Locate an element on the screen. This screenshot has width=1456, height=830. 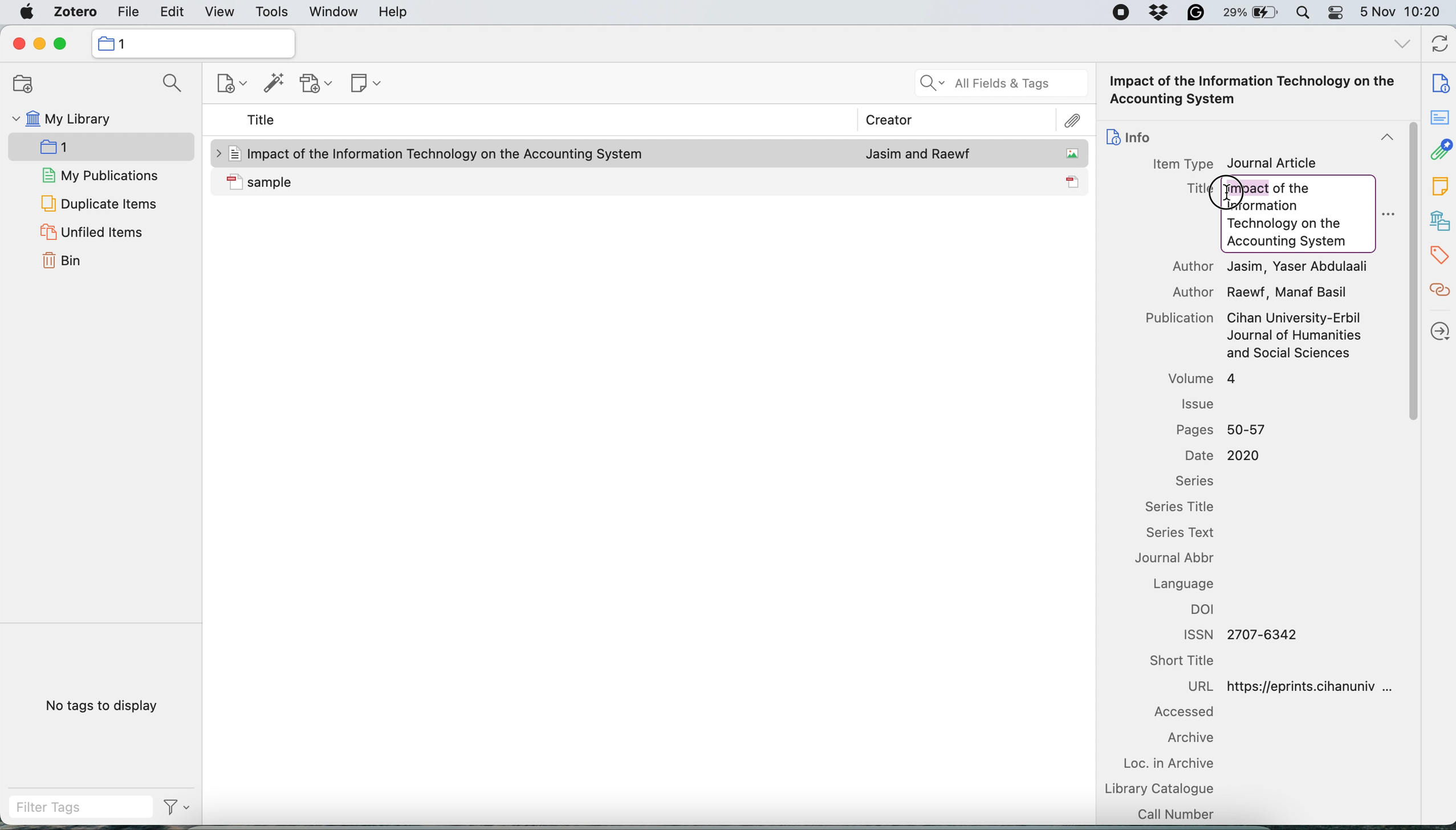
system logo is located at coordinates (25, 13).